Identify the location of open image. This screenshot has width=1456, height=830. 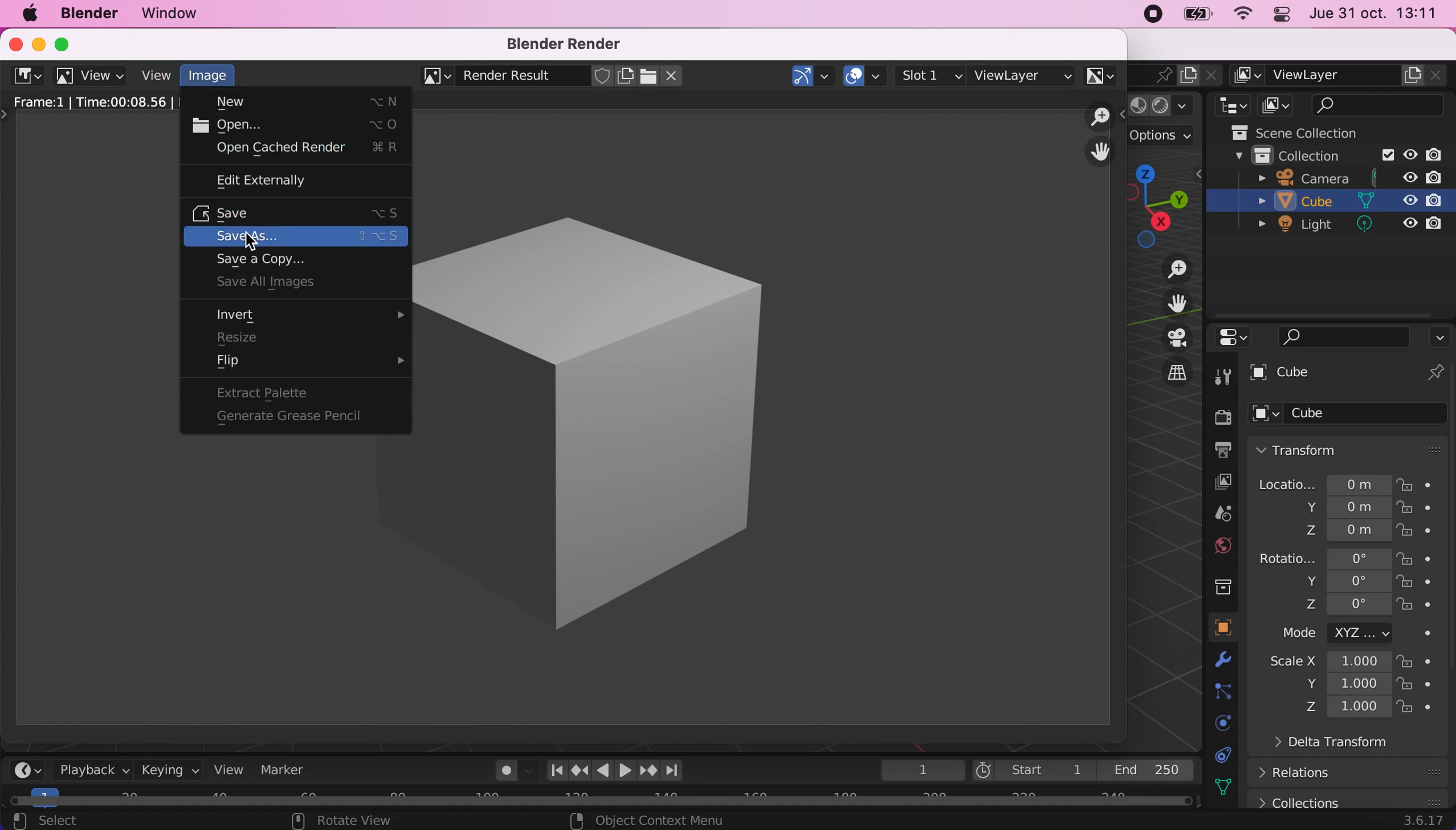
(647, 76).